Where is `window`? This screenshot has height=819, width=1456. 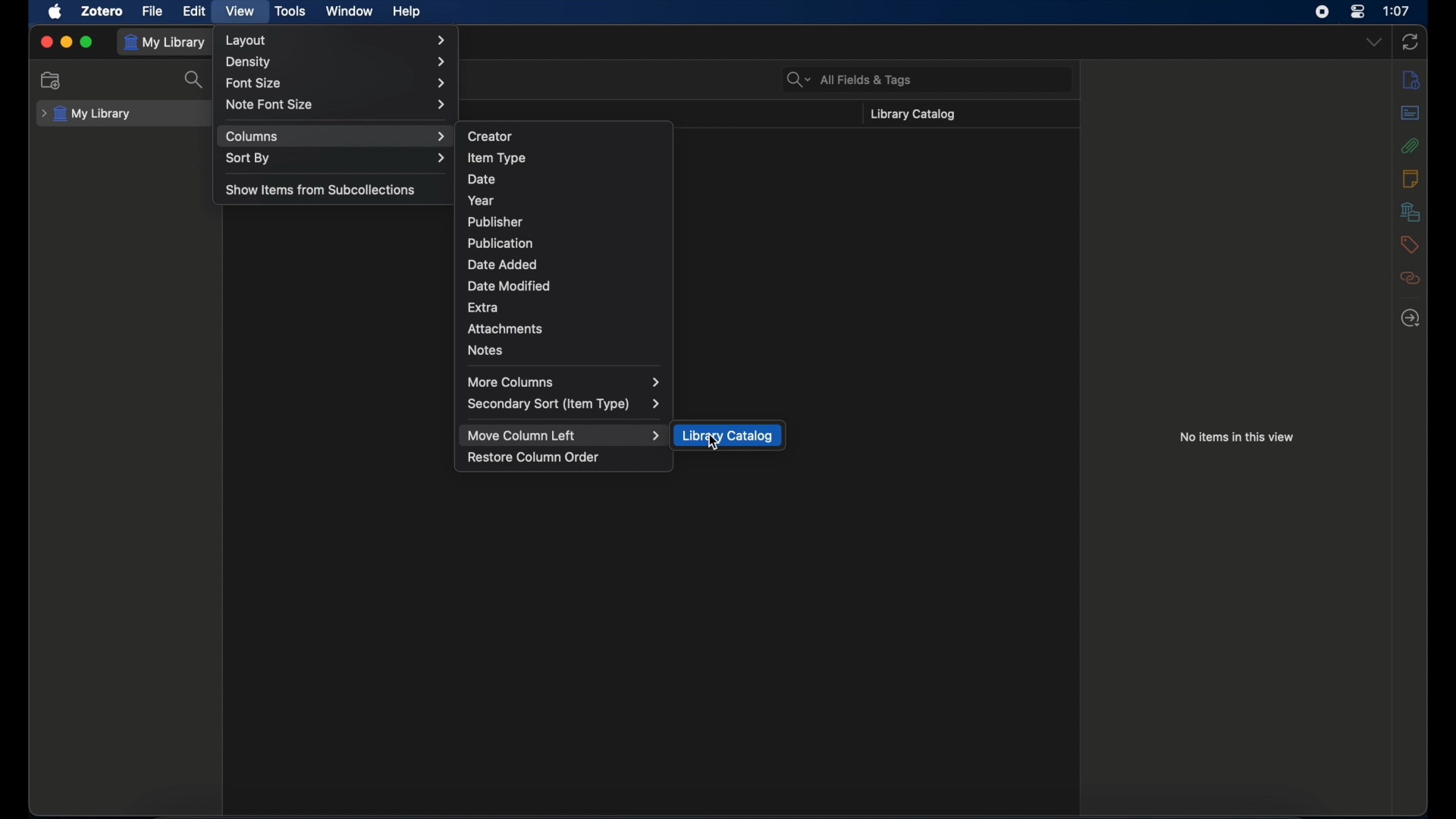
window is located at coordinates (350, 11).